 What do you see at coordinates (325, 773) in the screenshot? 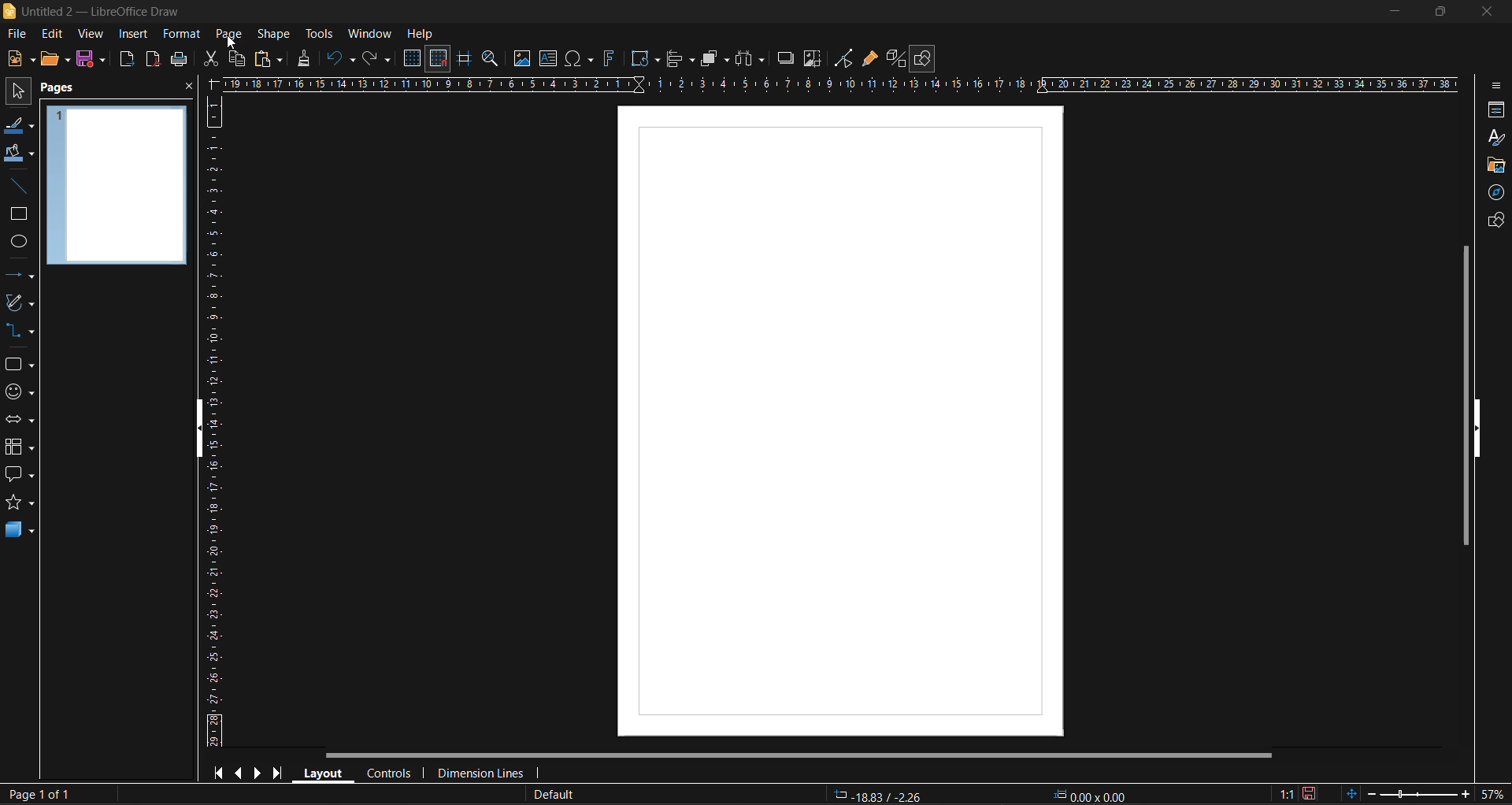
I see `layout` at bounding box center [325, 773].